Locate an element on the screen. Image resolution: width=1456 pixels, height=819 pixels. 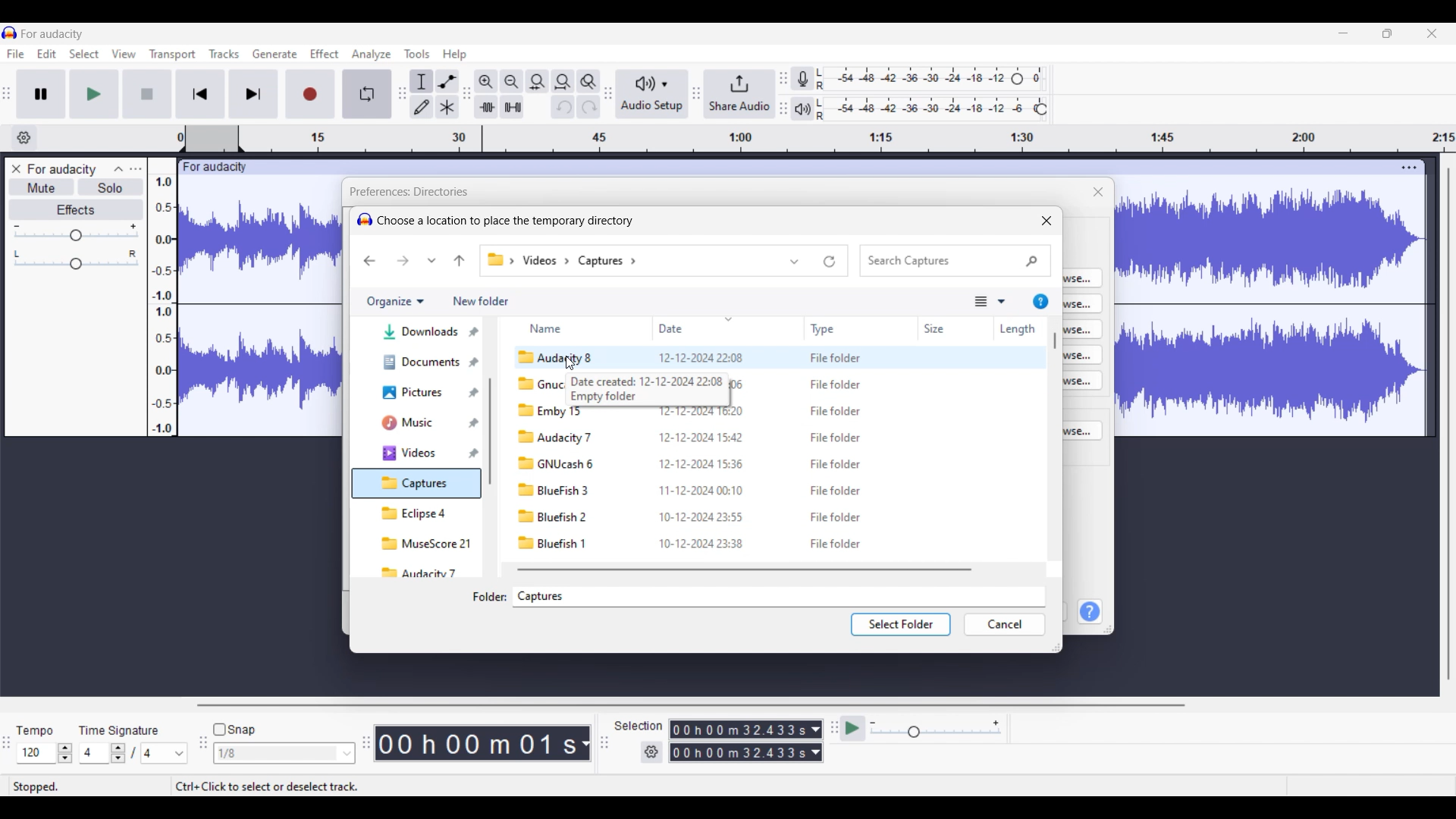
Effect menu is located at coordinates (325, 54).